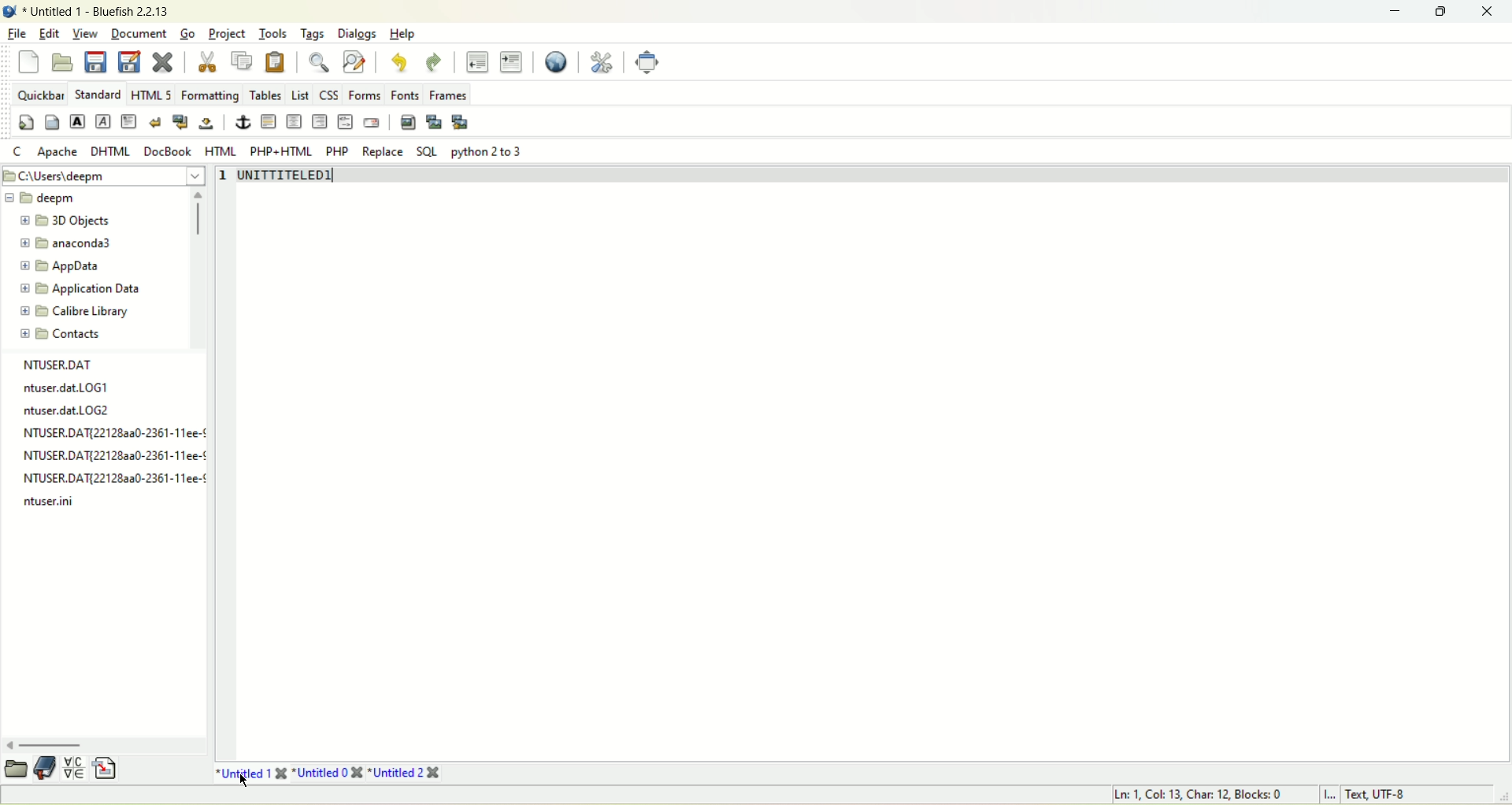  Describe the element at coordinates (603, 64) in the screenshot. I see `edit preferences` at that location.